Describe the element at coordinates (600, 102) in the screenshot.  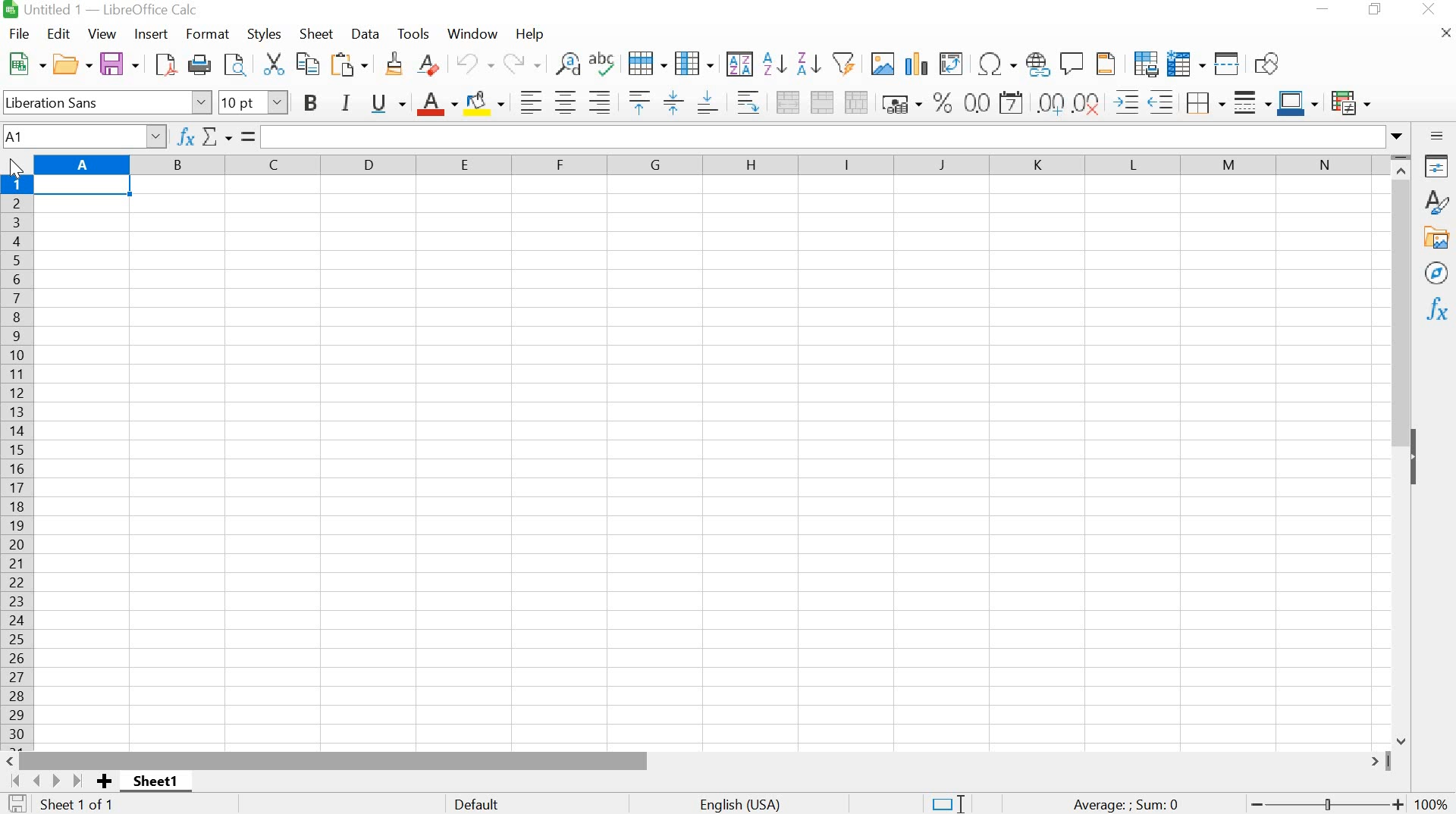
I see `Align Right` at that location.